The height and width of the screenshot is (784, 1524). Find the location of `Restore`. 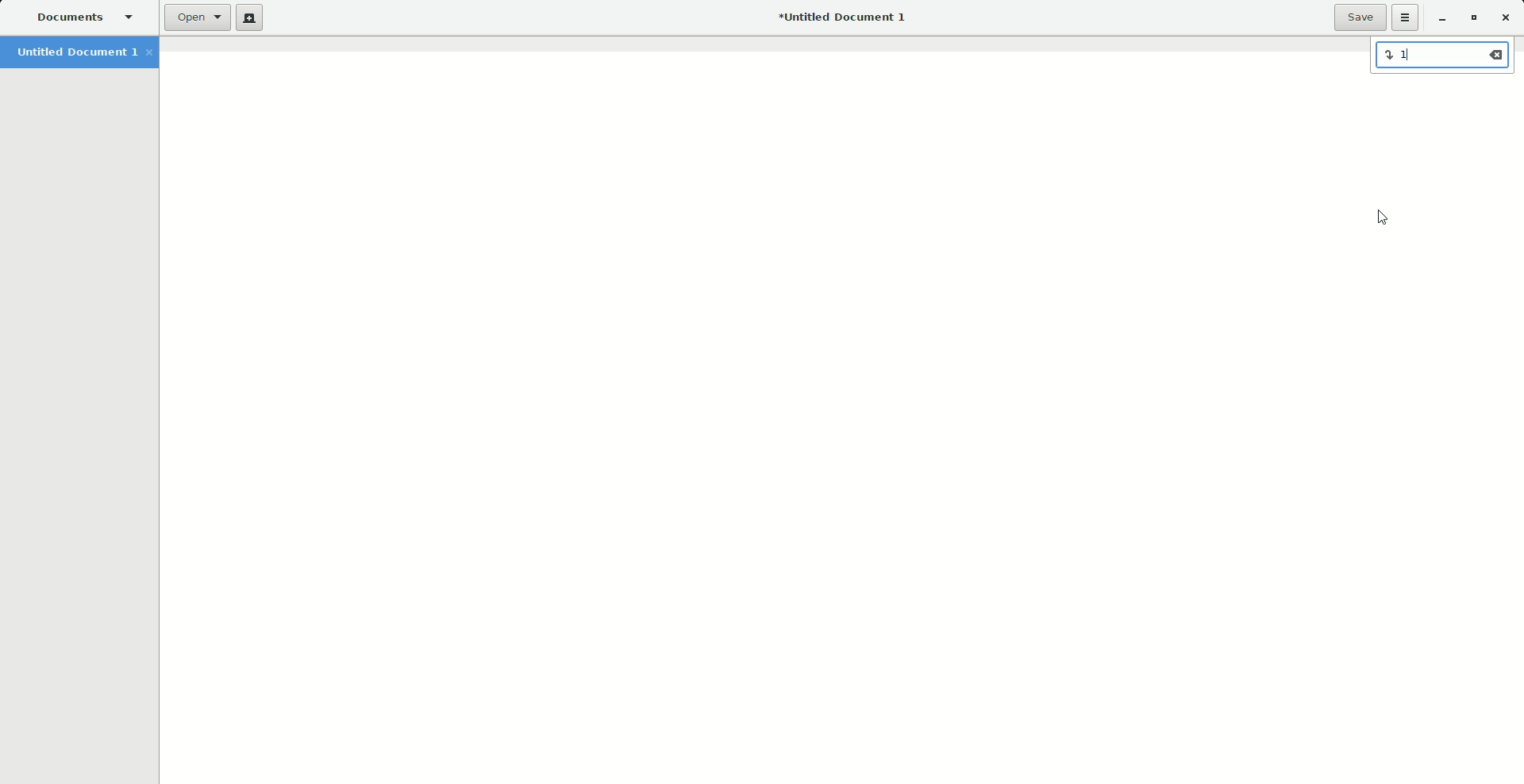

Restore is located at coordinates (1472, 18).